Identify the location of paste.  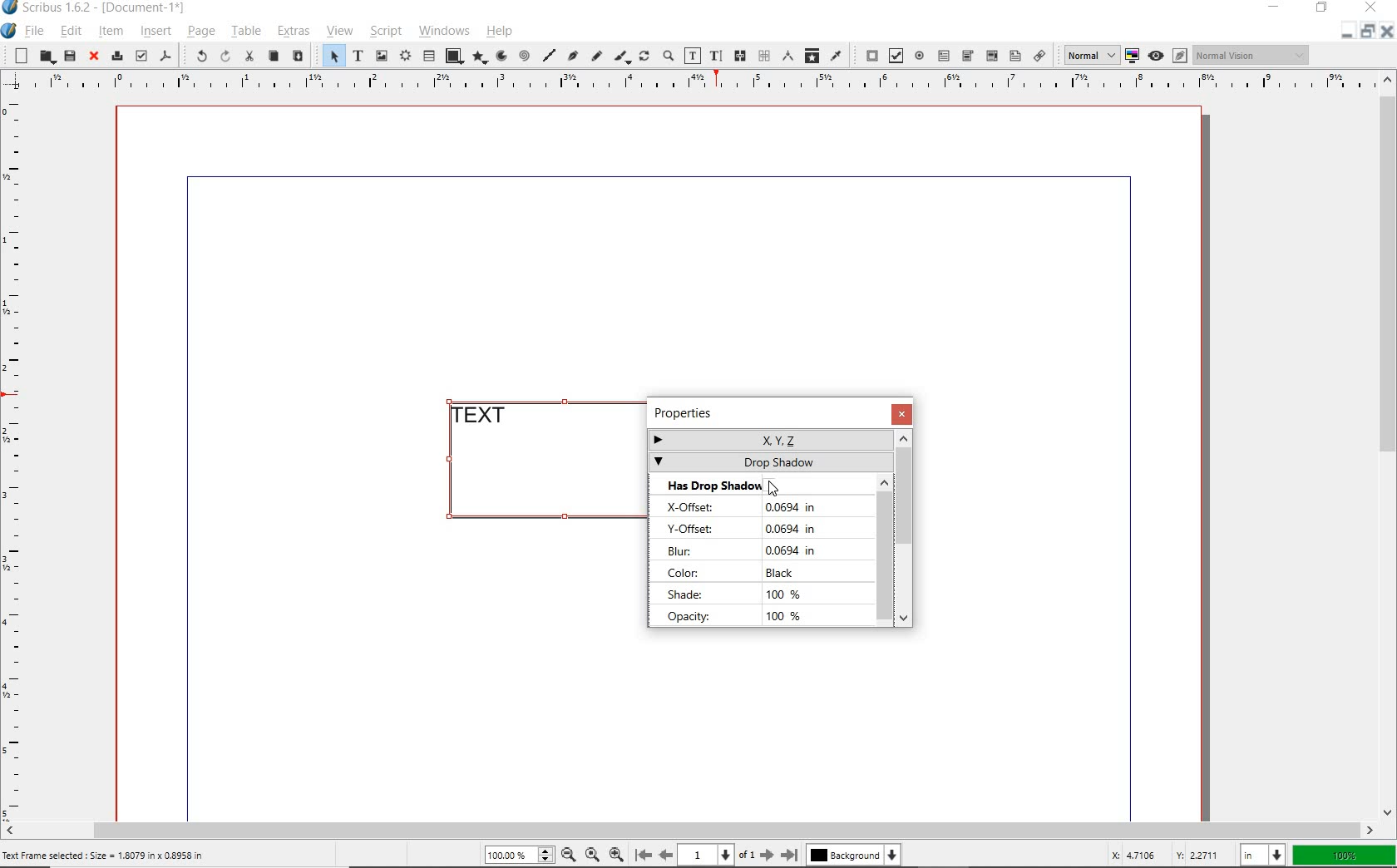
(299, 57).